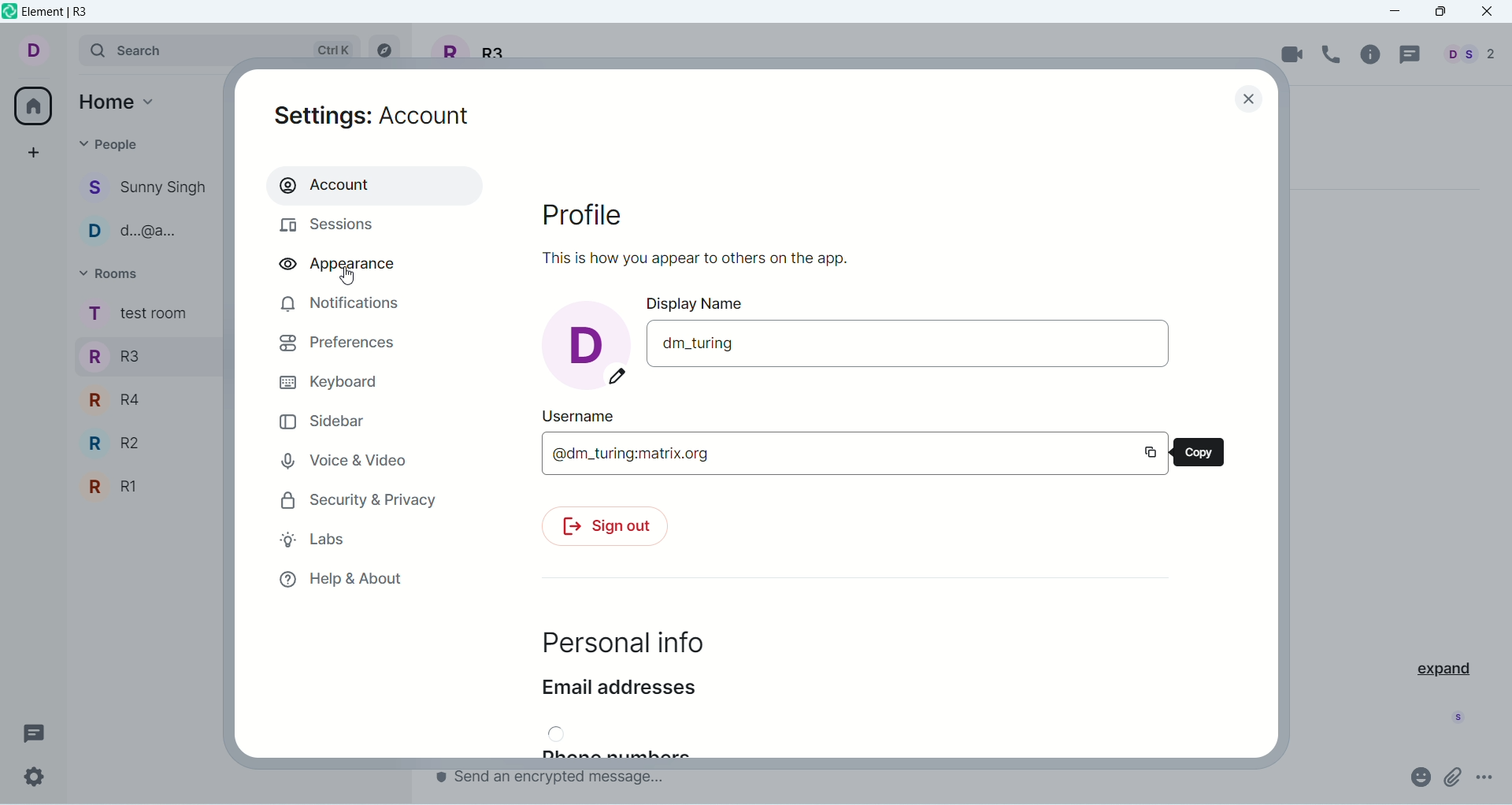 Image resolution: width=1512 pixels, height=805 pixels. Describe the element at coordinates (324, 421) in the screenshot. I see `sidebar` at that location.